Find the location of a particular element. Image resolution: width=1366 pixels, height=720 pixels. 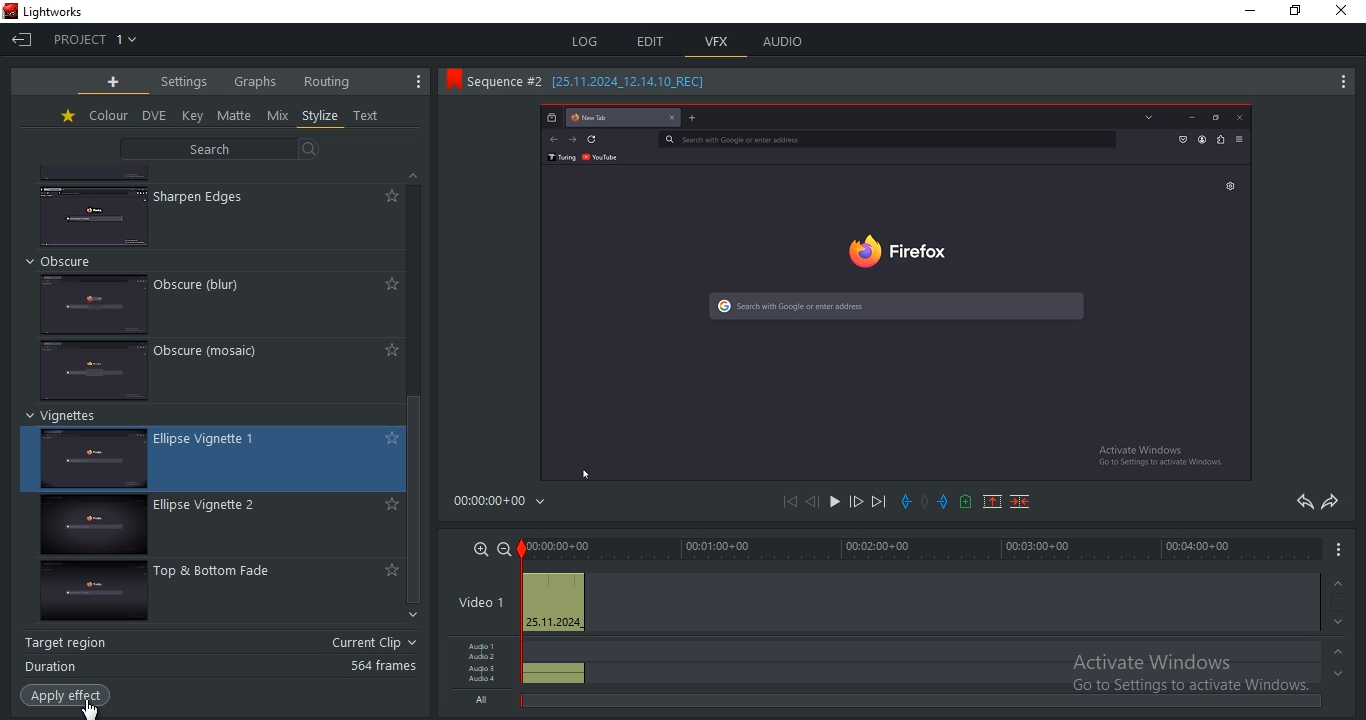

Show settings menu is located at coordinates (414, 82).